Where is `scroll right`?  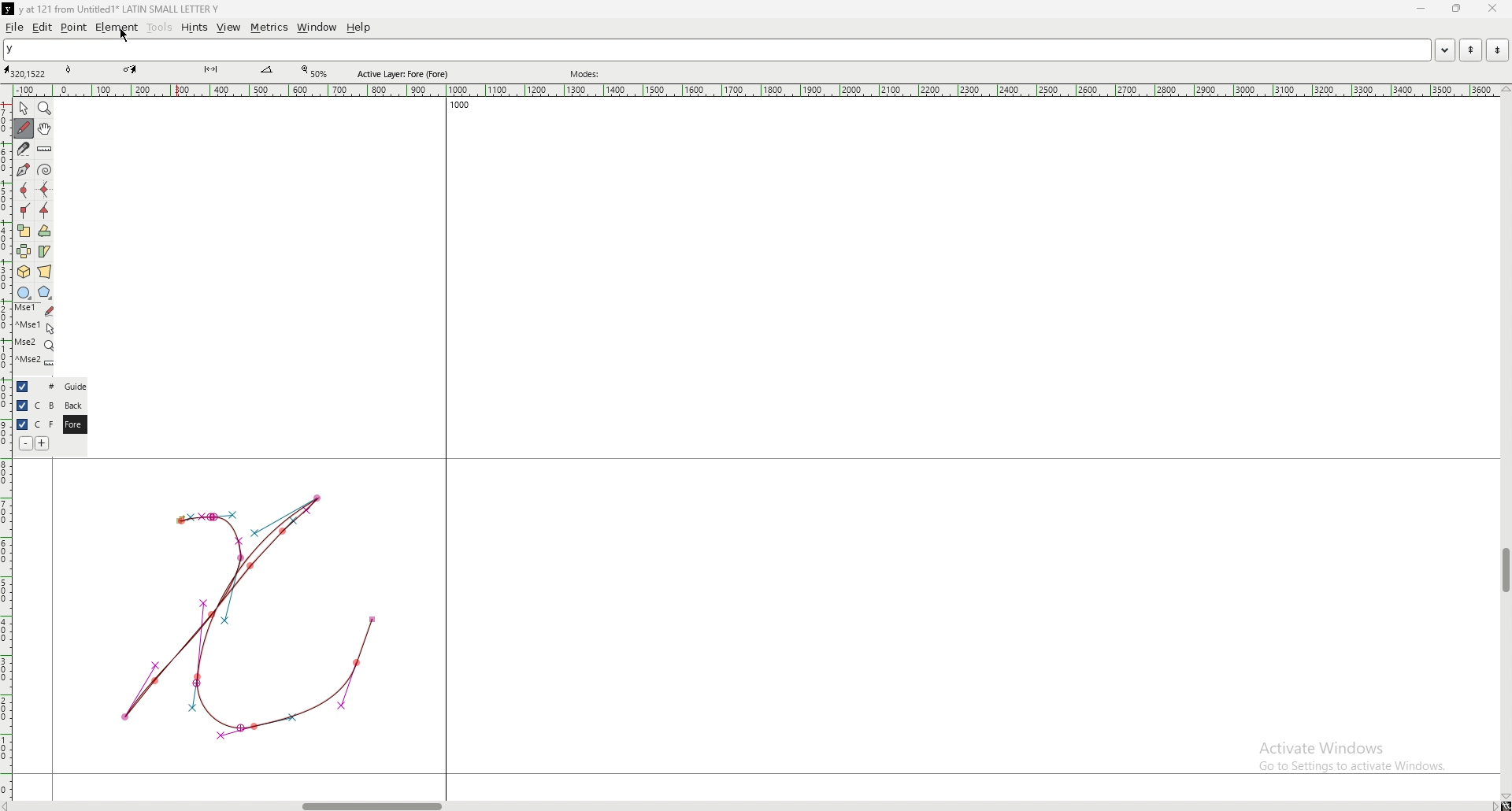
scroll right is located at coordinates (10, 805).